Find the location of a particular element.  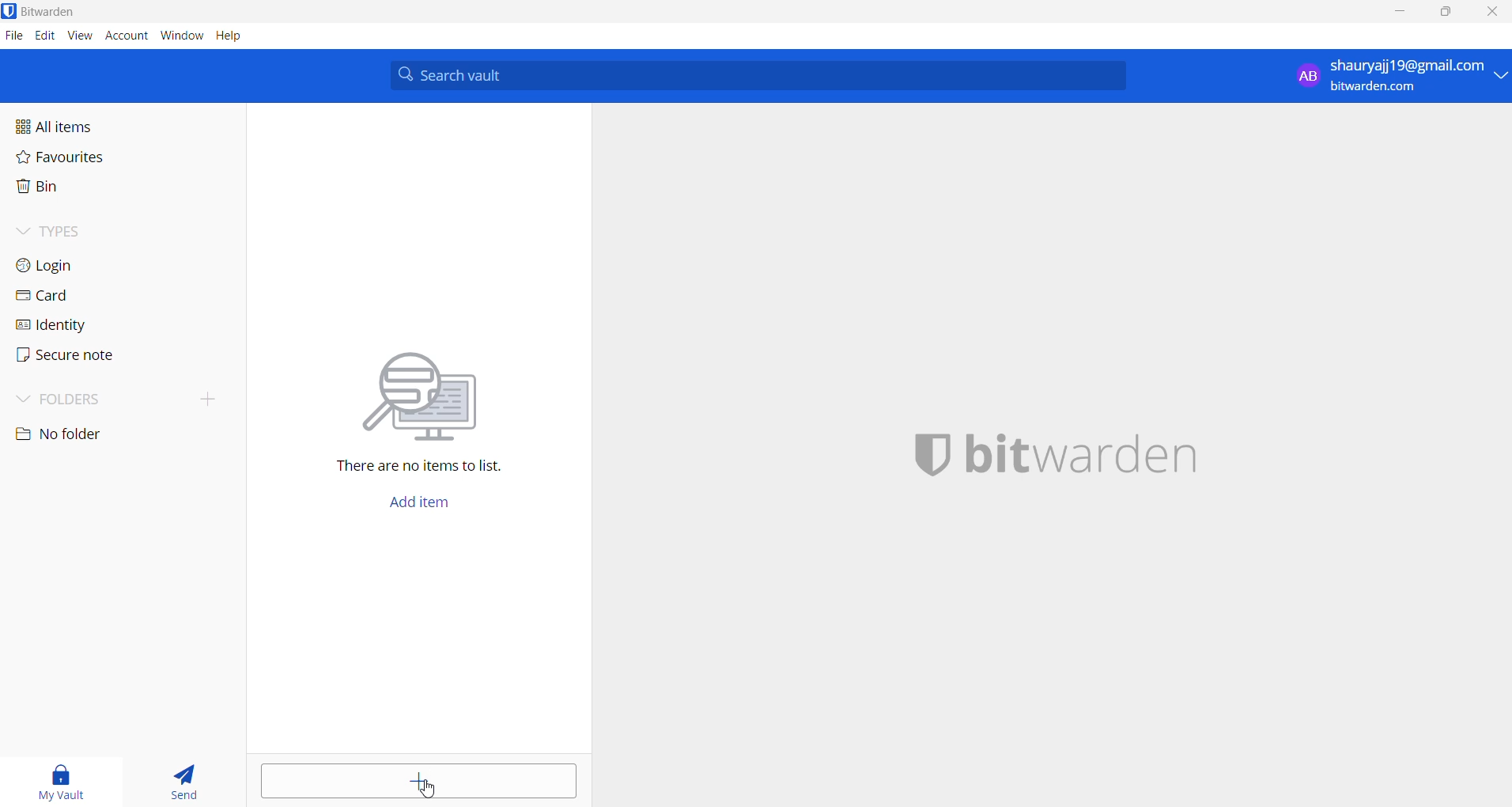

send is located at coordinates (185, 783).